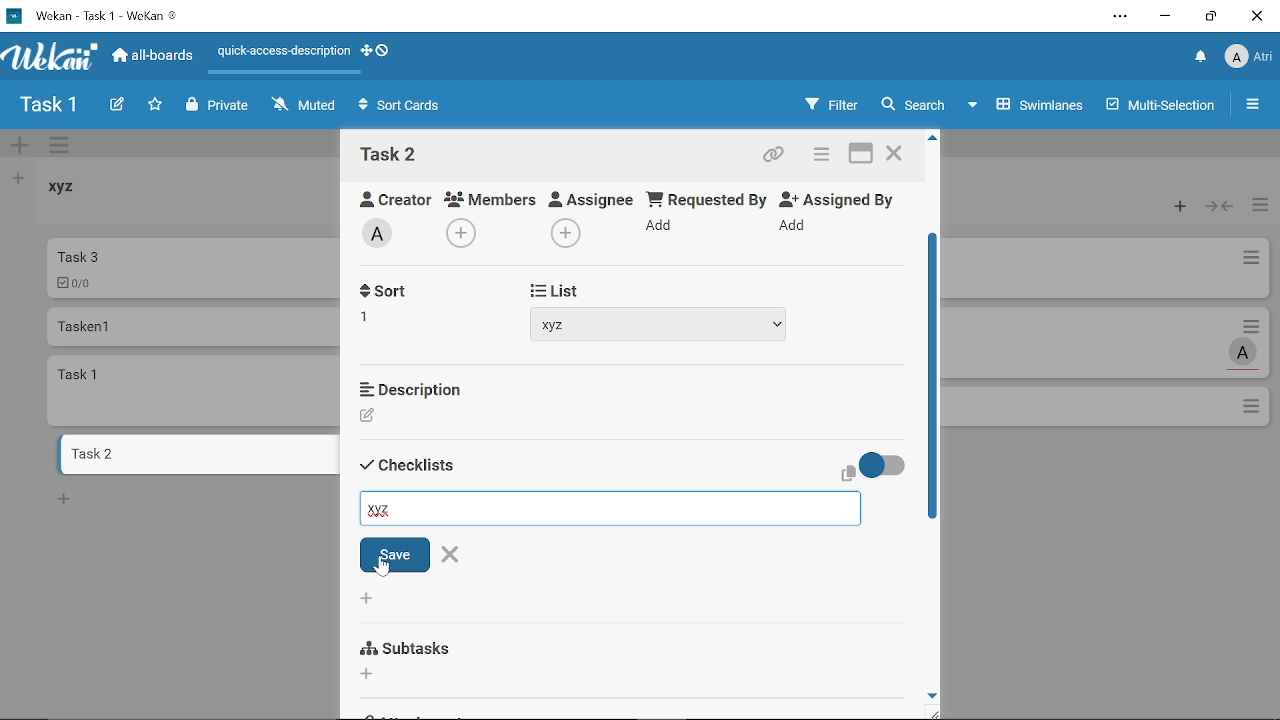  Describe the element at coordinates (368, 416) in the screenshot. I see `Creator` at that location.